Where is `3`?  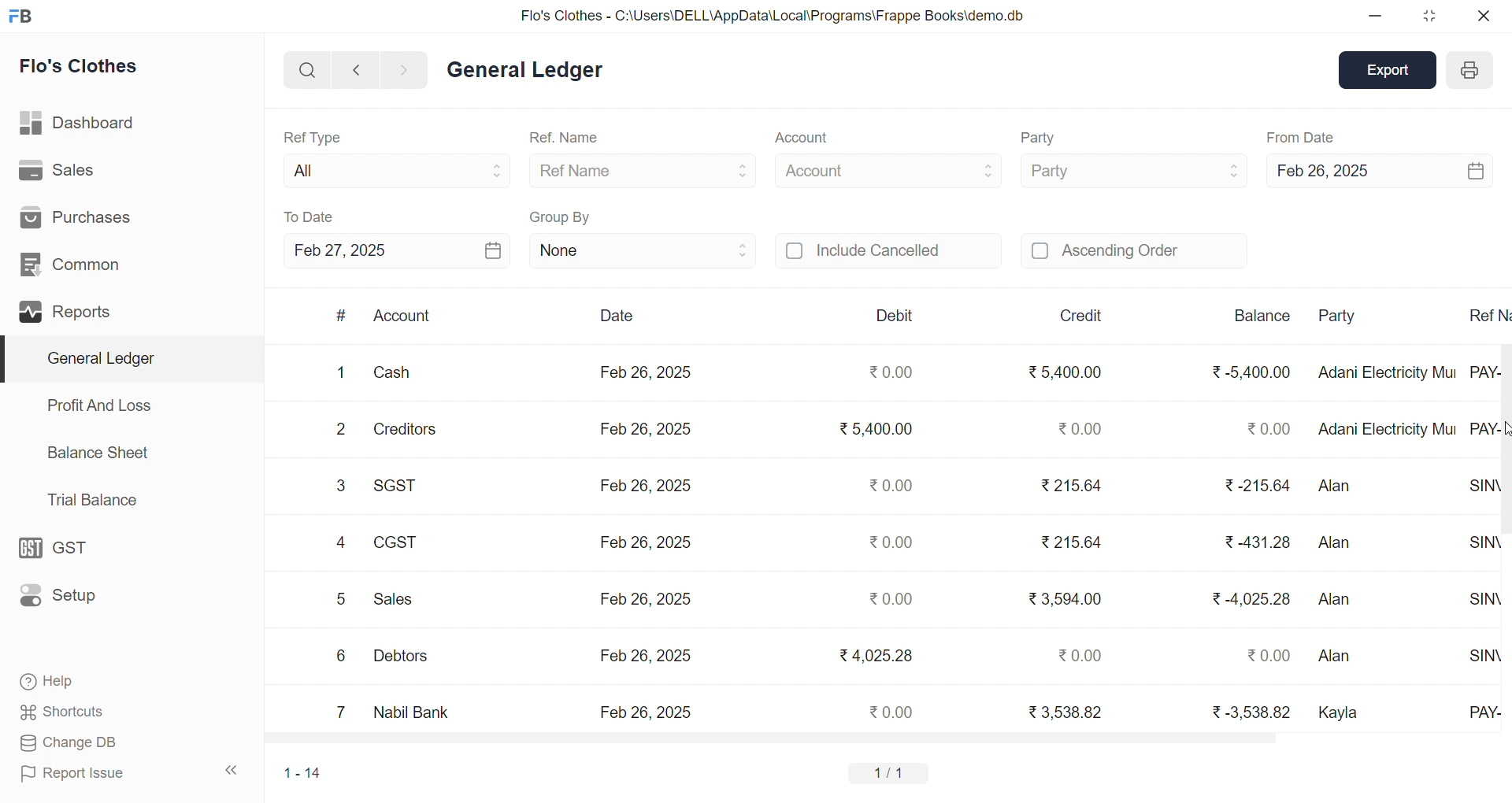 3 is located at coordinates (343, 487).